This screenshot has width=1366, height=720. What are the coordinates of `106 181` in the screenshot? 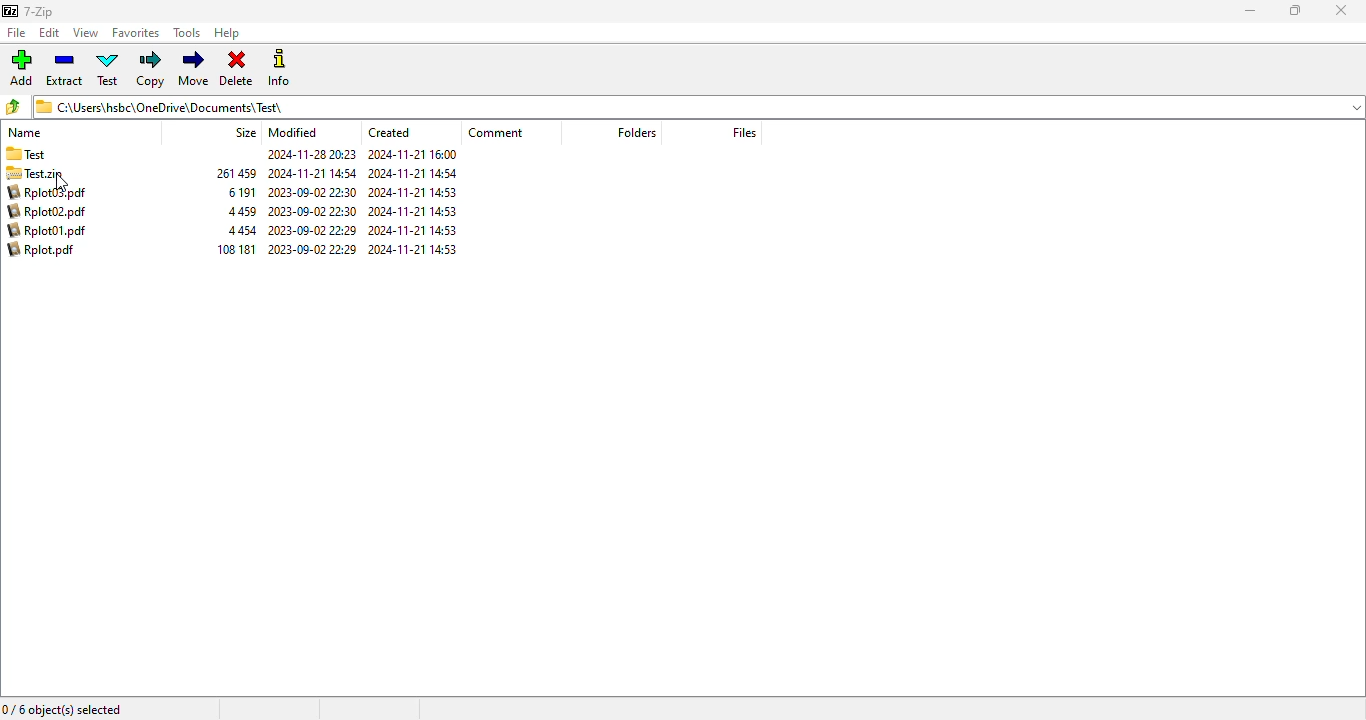 It's located at (238, 250).